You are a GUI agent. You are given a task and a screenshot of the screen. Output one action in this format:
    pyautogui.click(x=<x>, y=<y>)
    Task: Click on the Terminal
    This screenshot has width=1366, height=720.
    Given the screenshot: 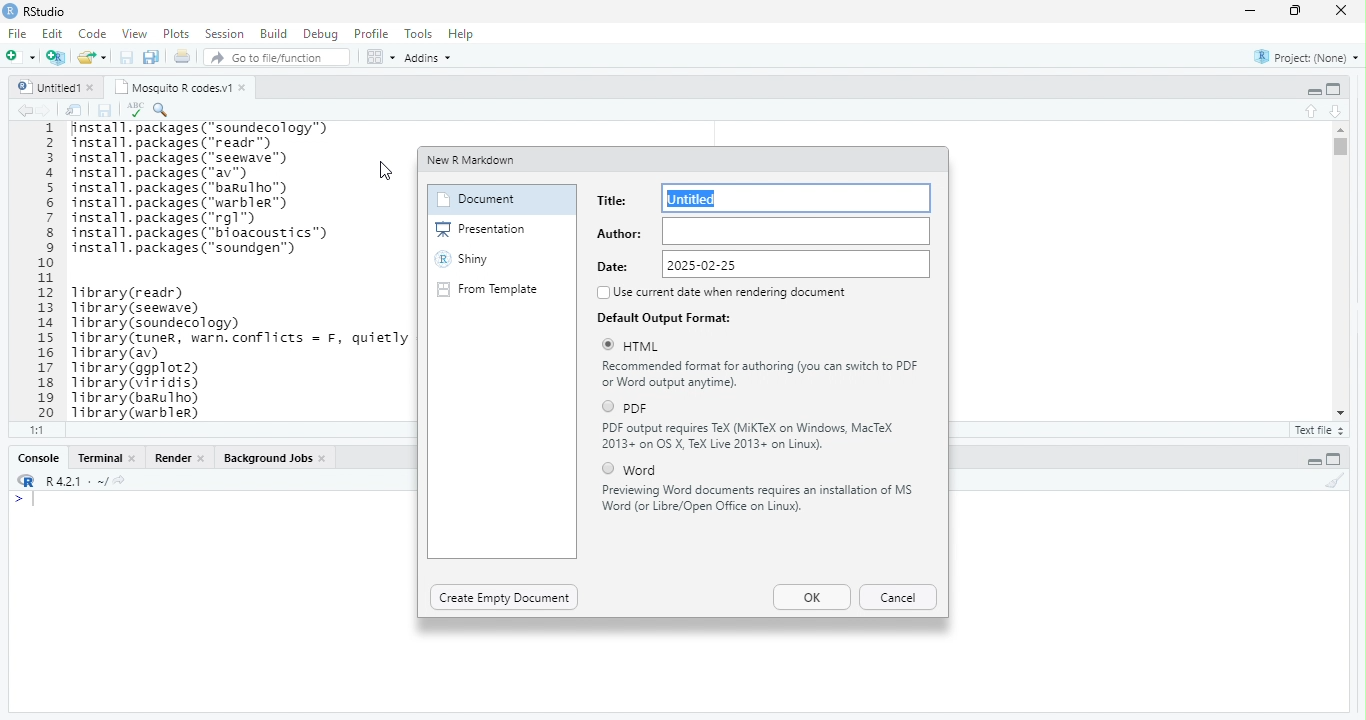 What is the action you would take?
    pyautogui.click(x=100, y=458)
    